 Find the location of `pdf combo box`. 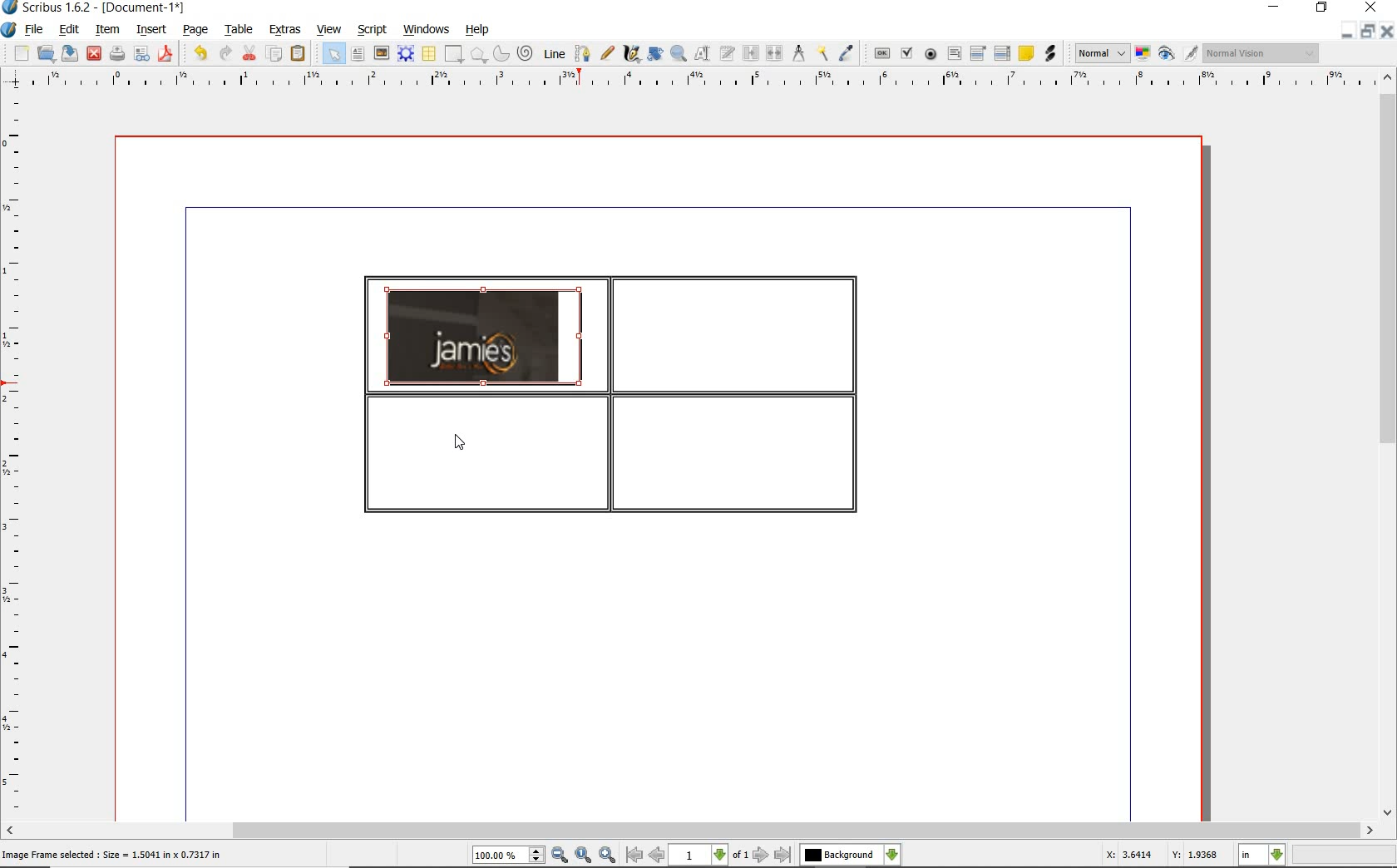

pdf combo box is located at coordinates (980, 54).